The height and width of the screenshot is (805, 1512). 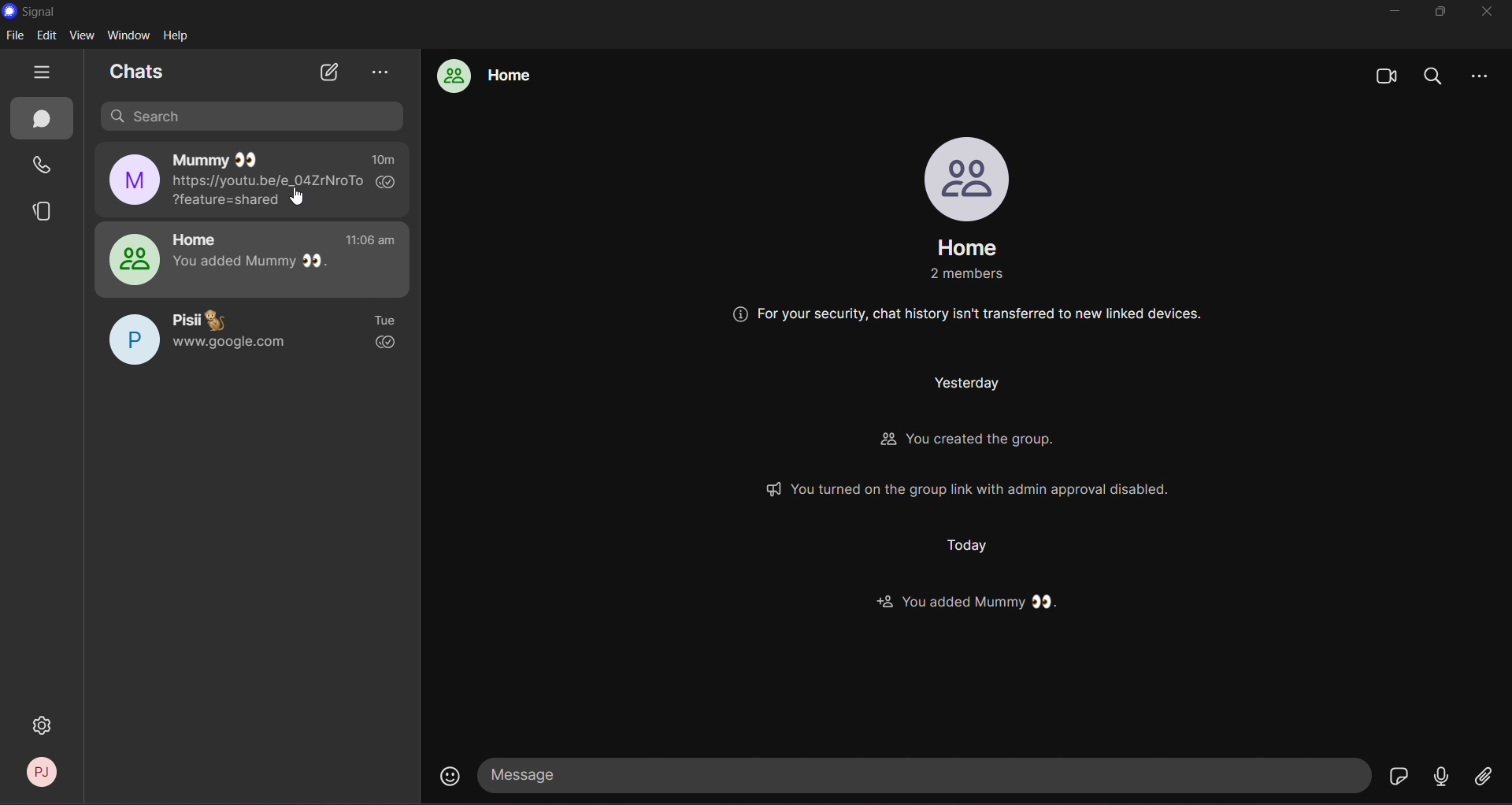 I want to click on You added Mummy, so click(x=969, y=603).